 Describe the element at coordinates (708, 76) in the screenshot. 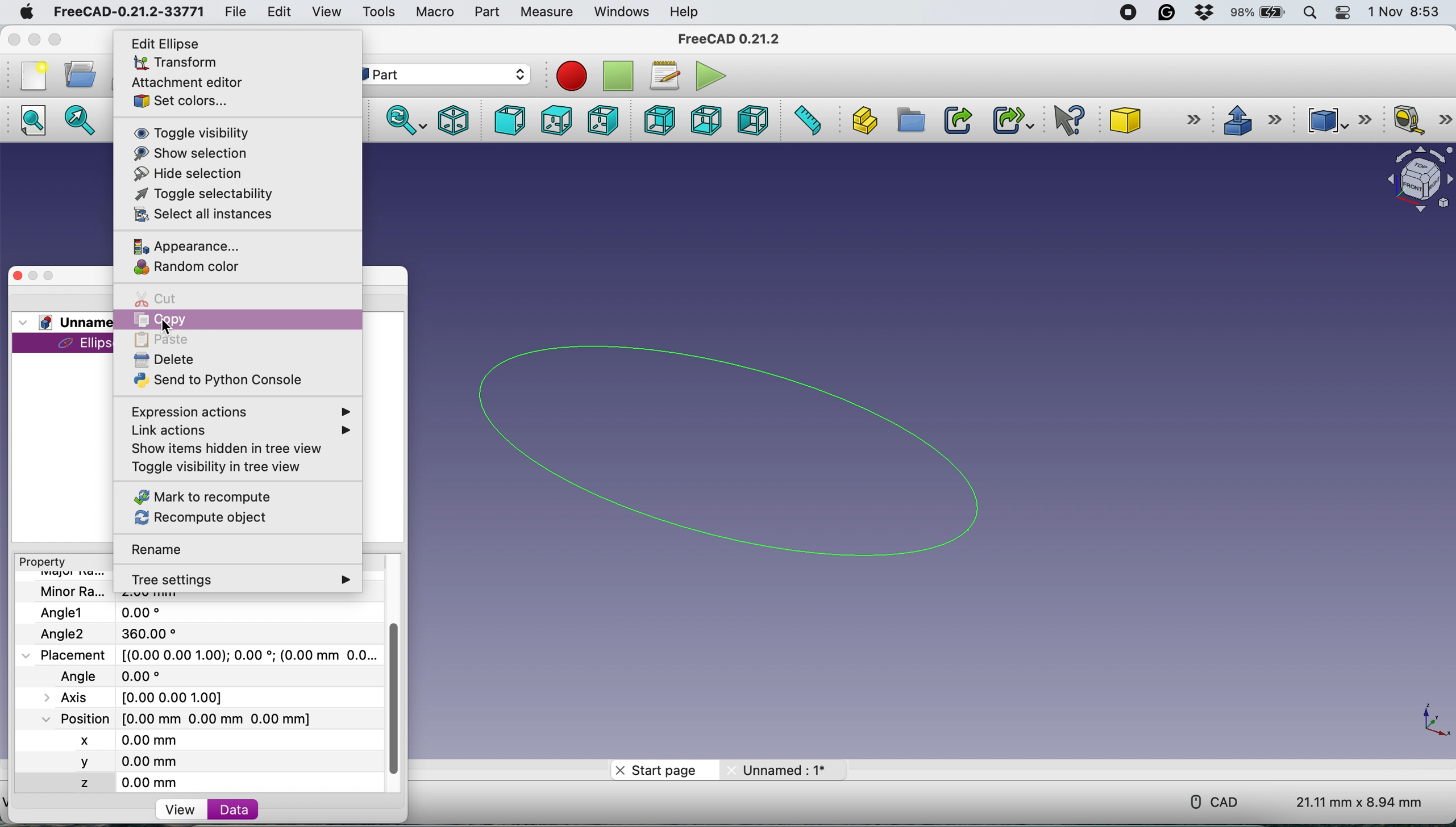

I see `execute macros` at that location.